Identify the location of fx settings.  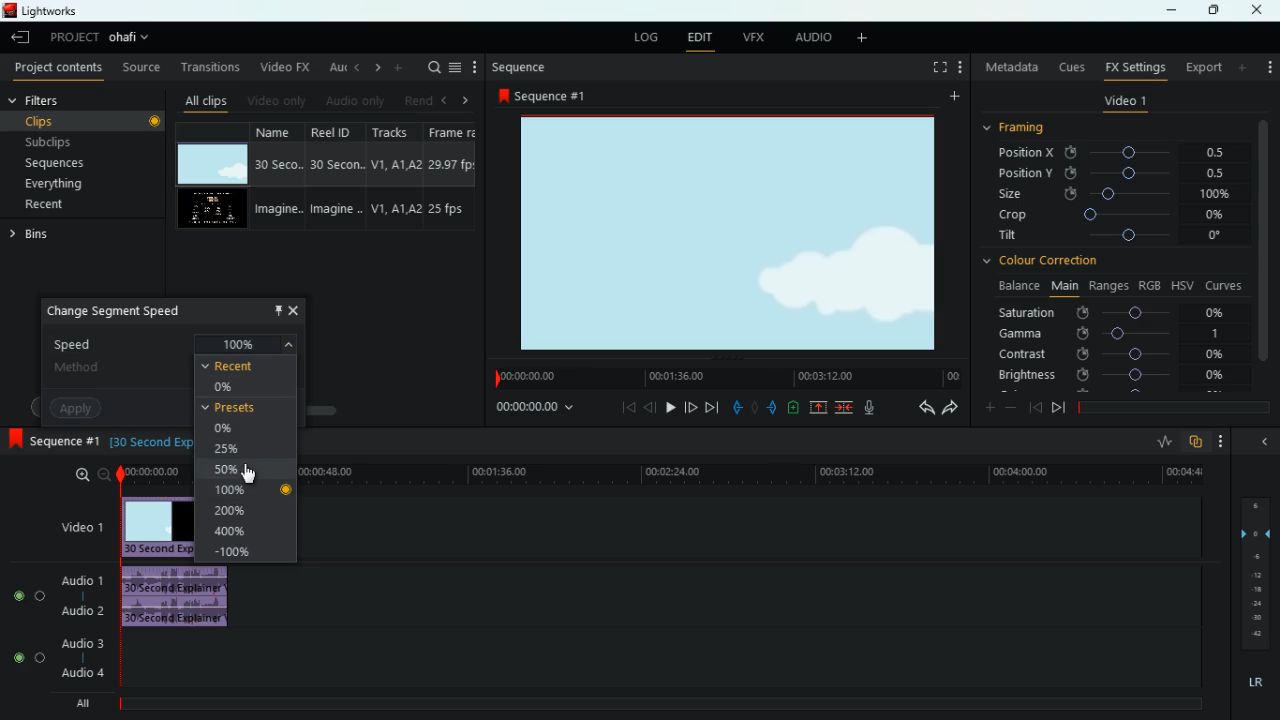
(1133, 67).